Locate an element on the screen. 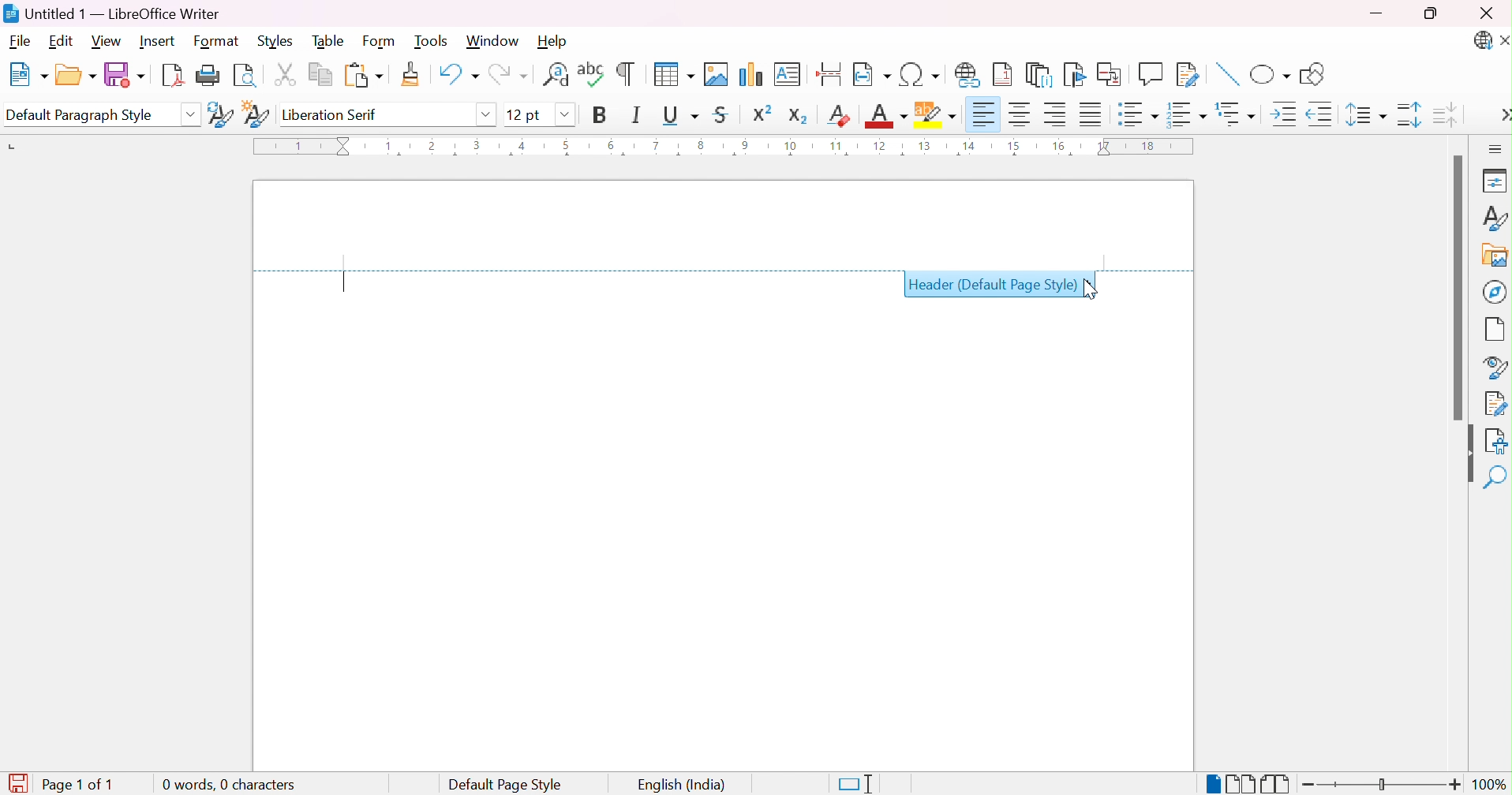  Navigator is located at coordinates (1497, 292).